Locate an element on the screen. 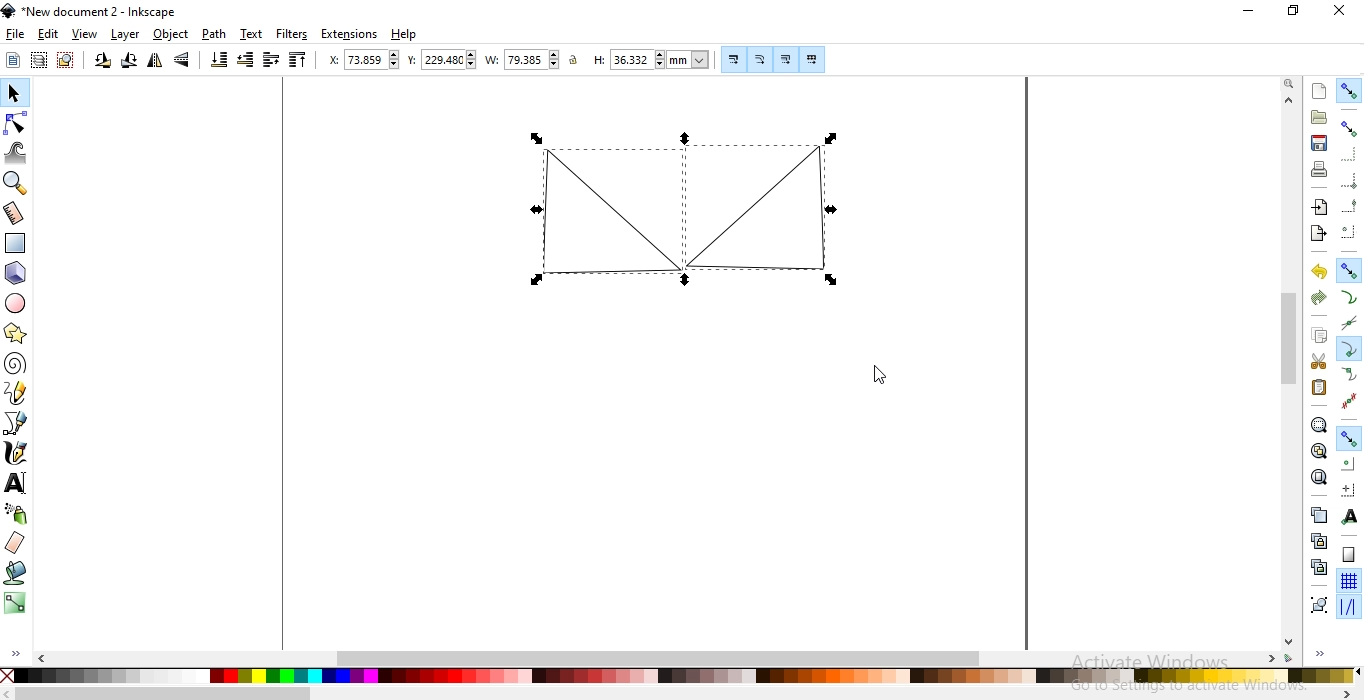  snap to path intersections is located at coordinates (1352, 322).